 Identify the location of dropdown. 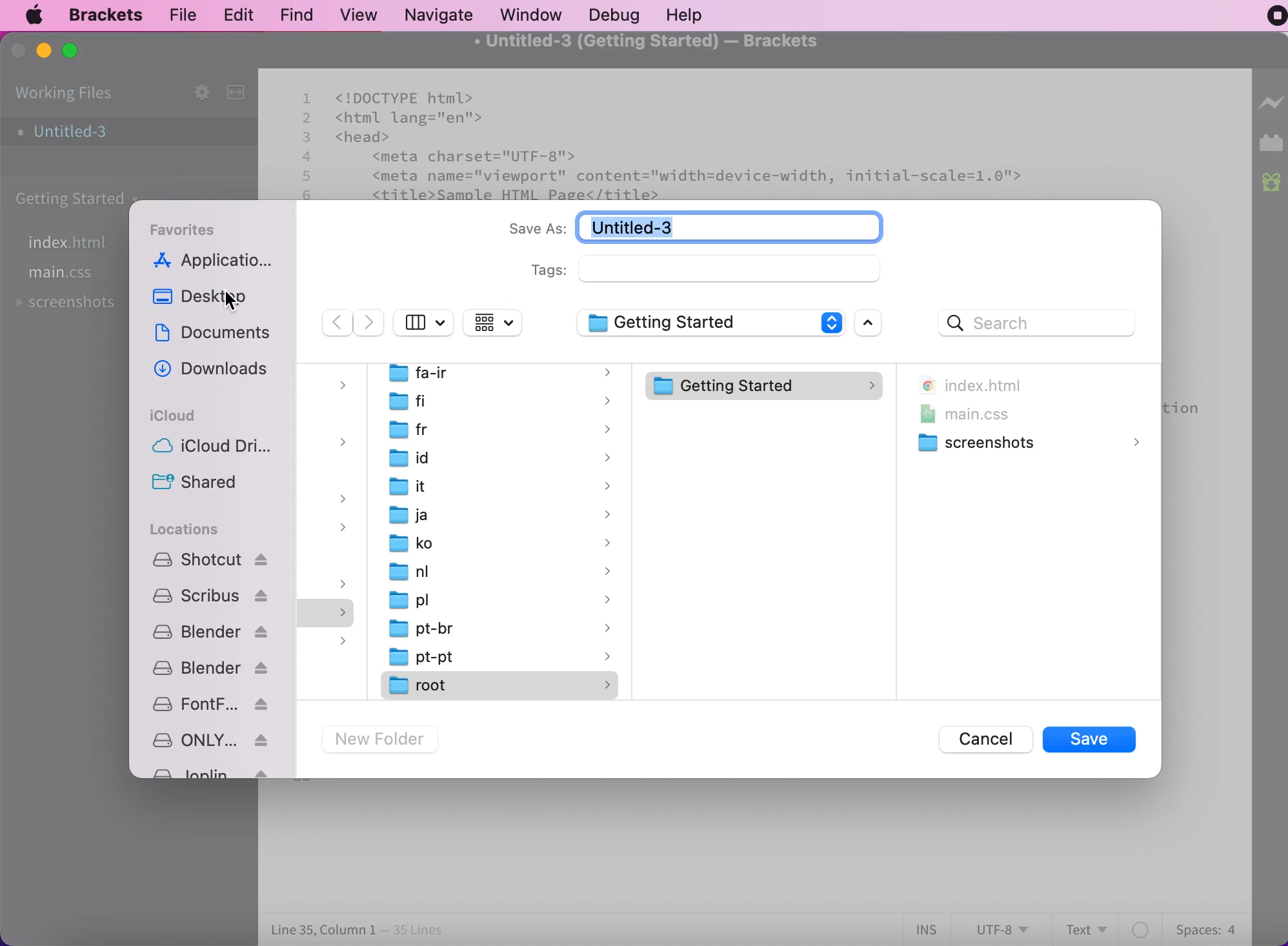
(343, 498).